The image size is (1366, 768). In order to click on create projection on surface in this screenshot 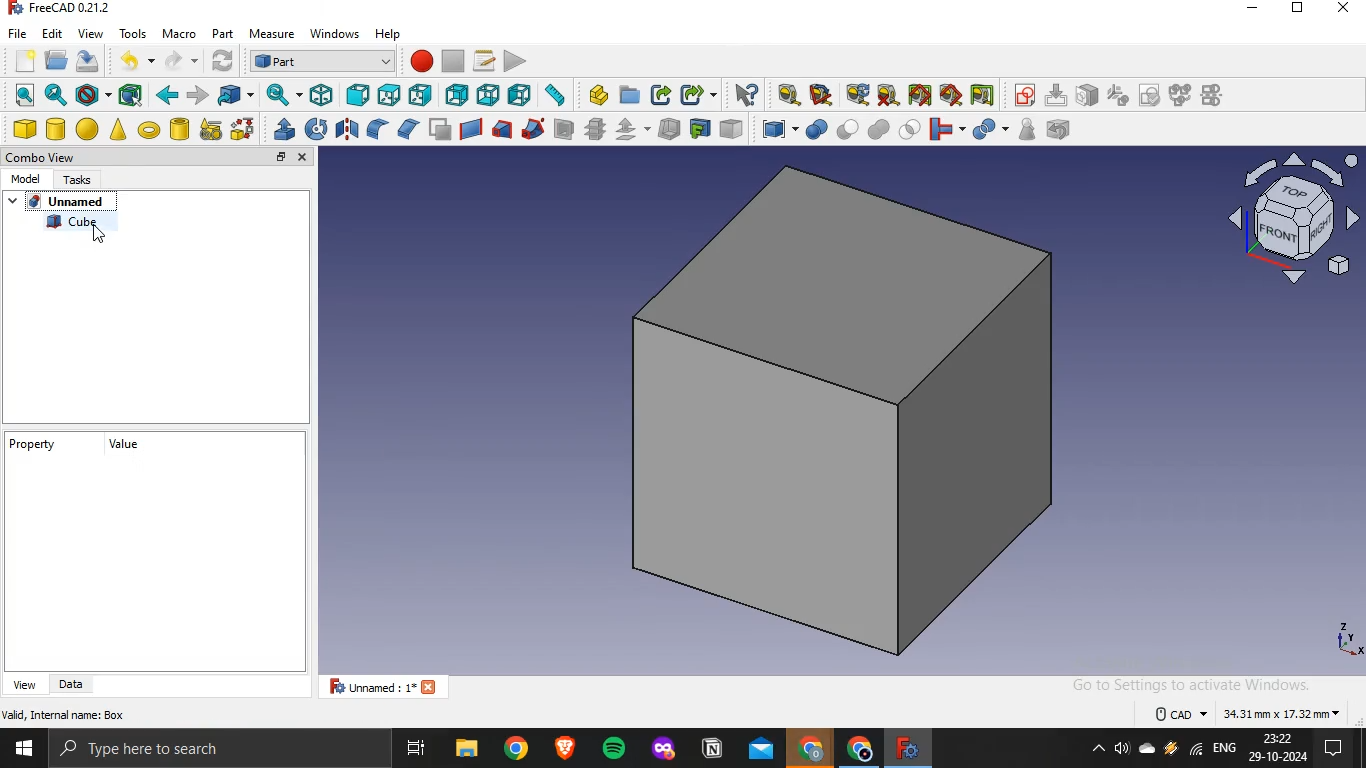, I will do `click(699, 128)`.